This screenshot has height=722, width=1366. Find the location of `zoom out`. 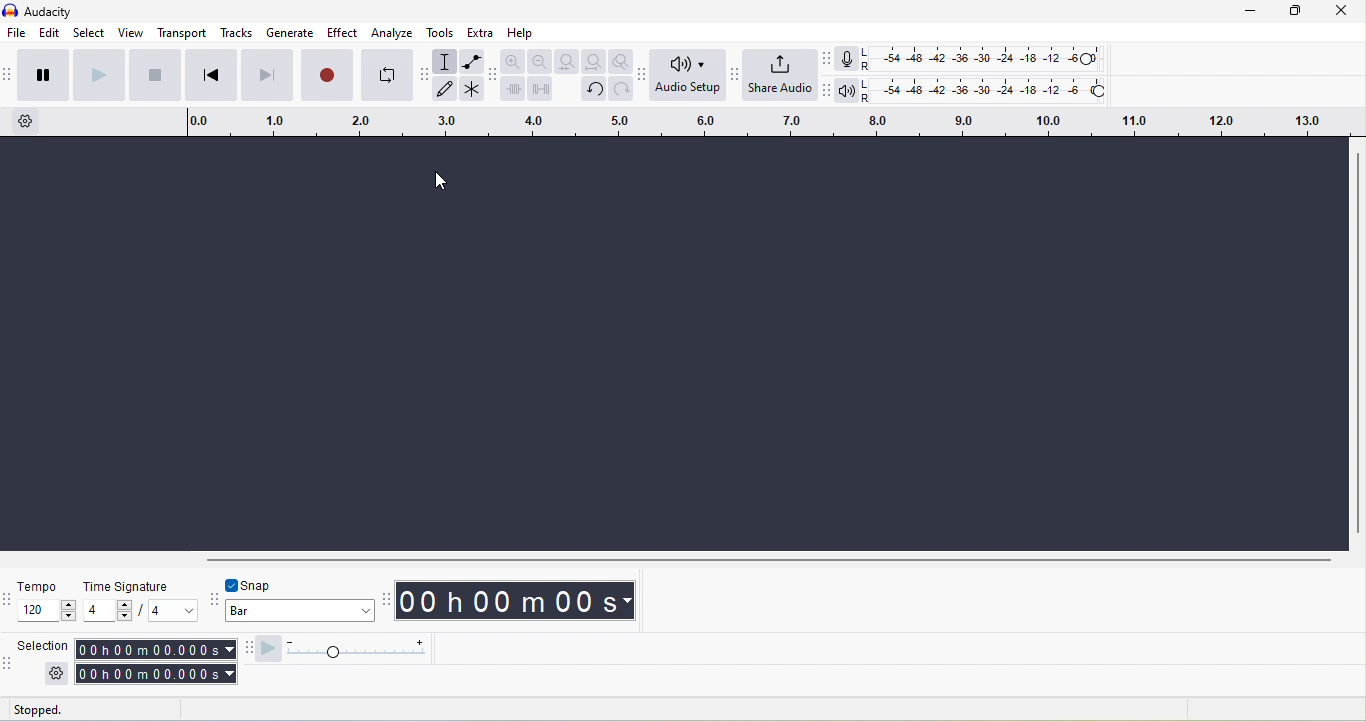

zoom out is located at coordinates (538, 62).